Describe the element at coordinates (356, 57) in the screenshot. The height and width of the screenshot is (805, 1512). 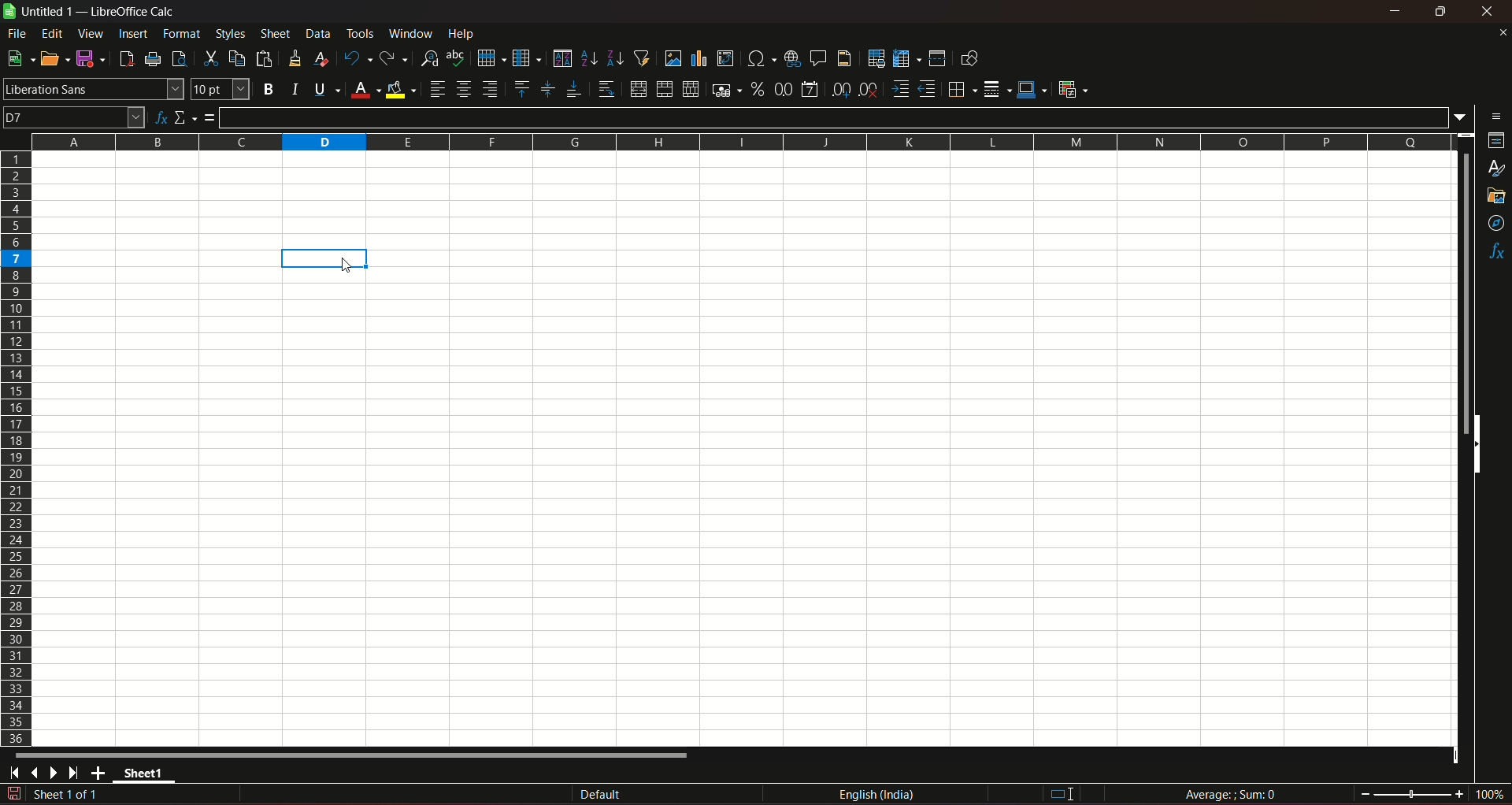
I see `undo` at that location.